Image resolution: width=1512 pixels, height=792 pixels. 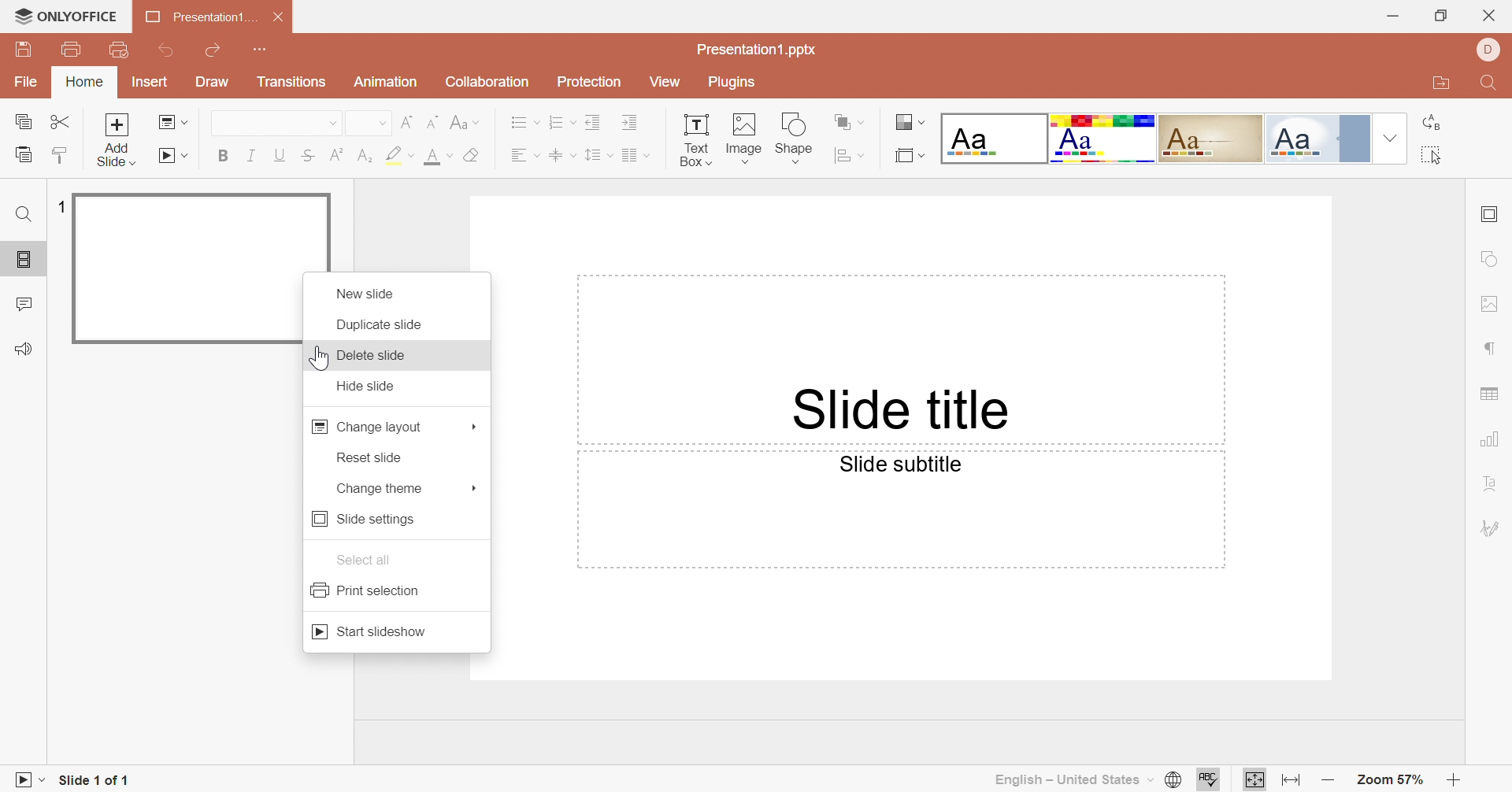 What do you see at coordinates (413, 156) in the screenshot?
I see `Drop Down` at bounding box center [413, 156].